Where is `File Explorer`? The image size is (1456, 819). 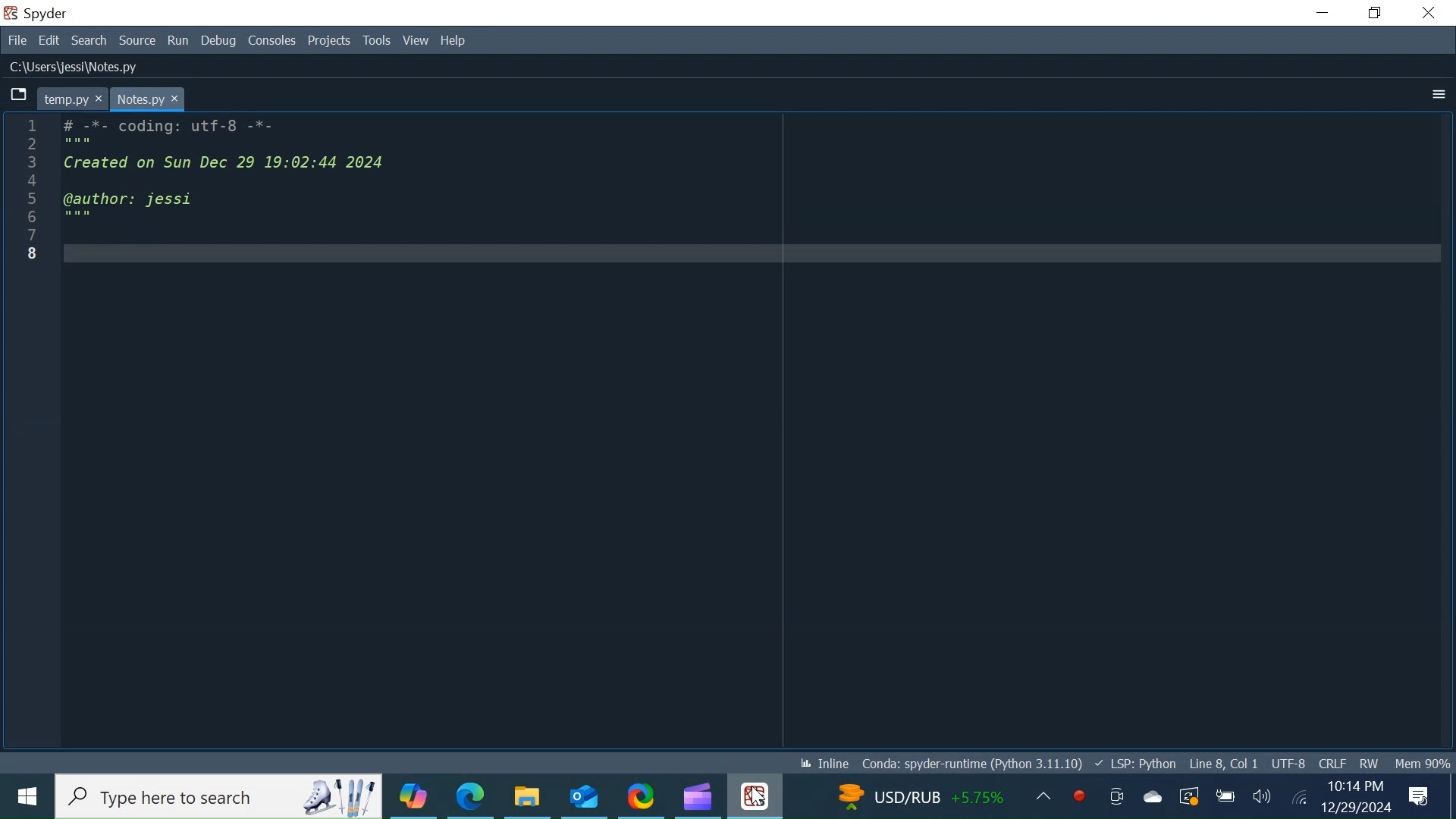 File Explorer is located at coordinates (529, 796).